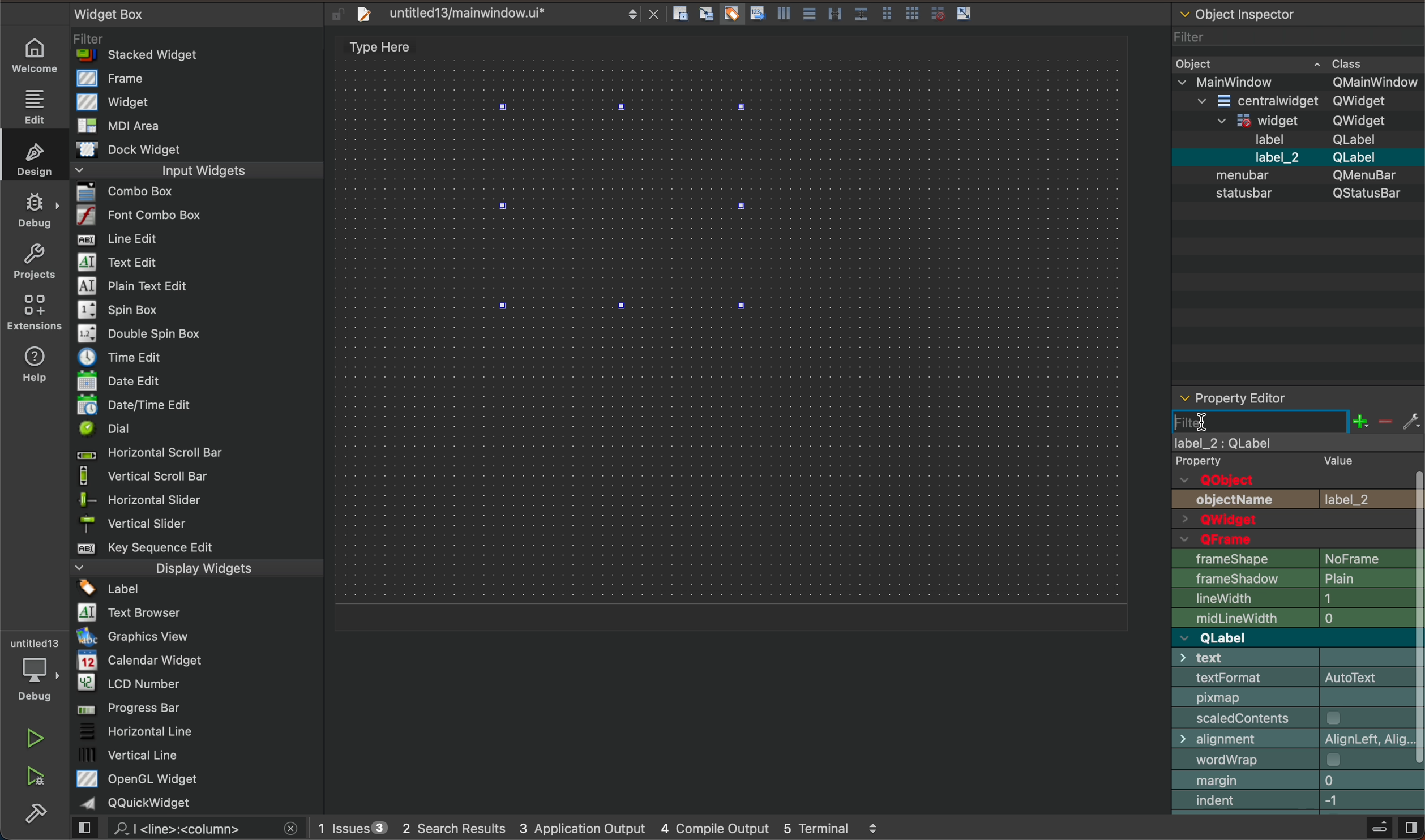 This screenshot has height=840, width=1425. Describe the element at coordinates (828, 16) in the screenshot. I see `layout actions` at that location.